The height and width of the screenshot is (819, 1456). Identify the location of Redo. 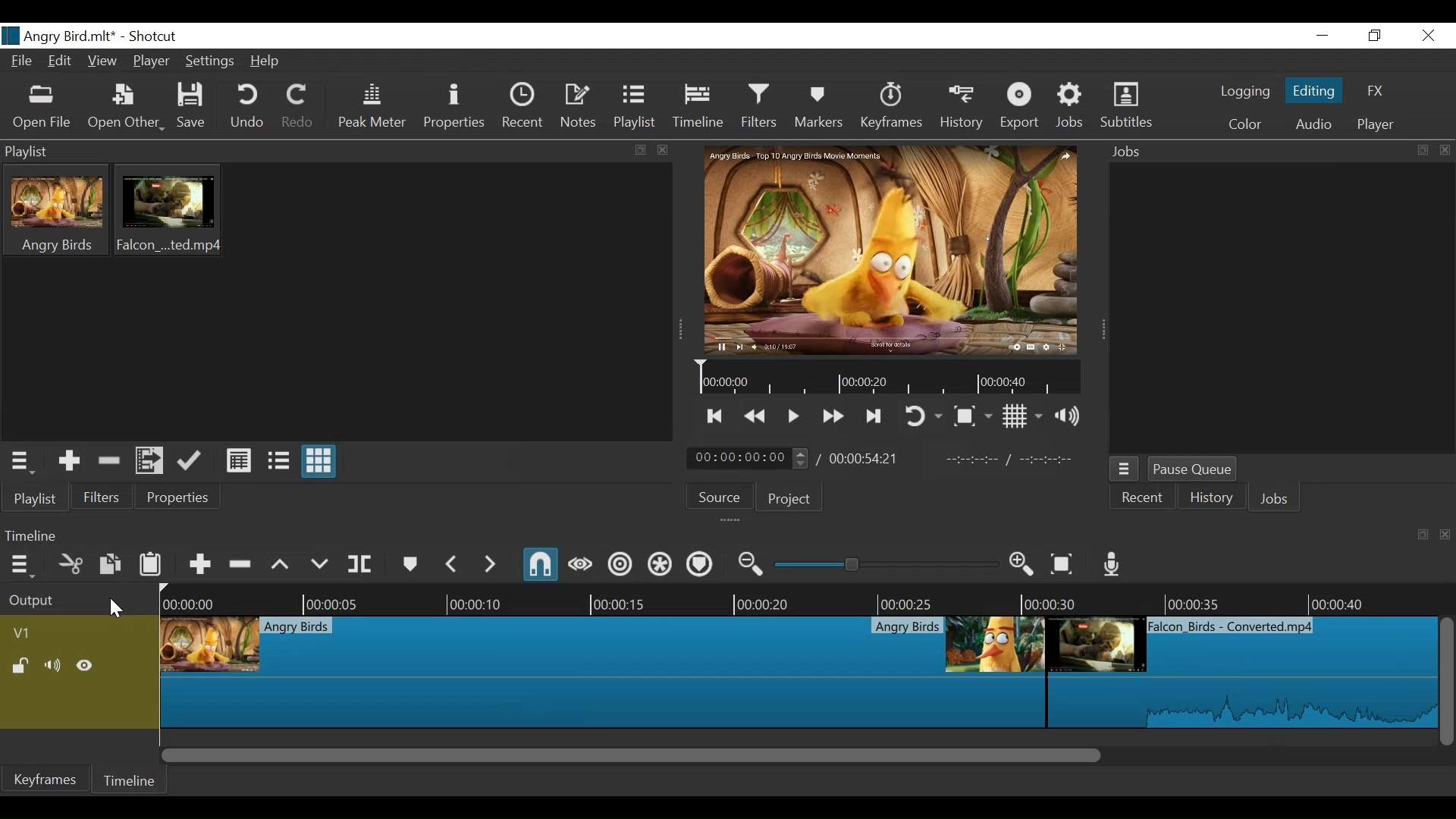
(299, 106).